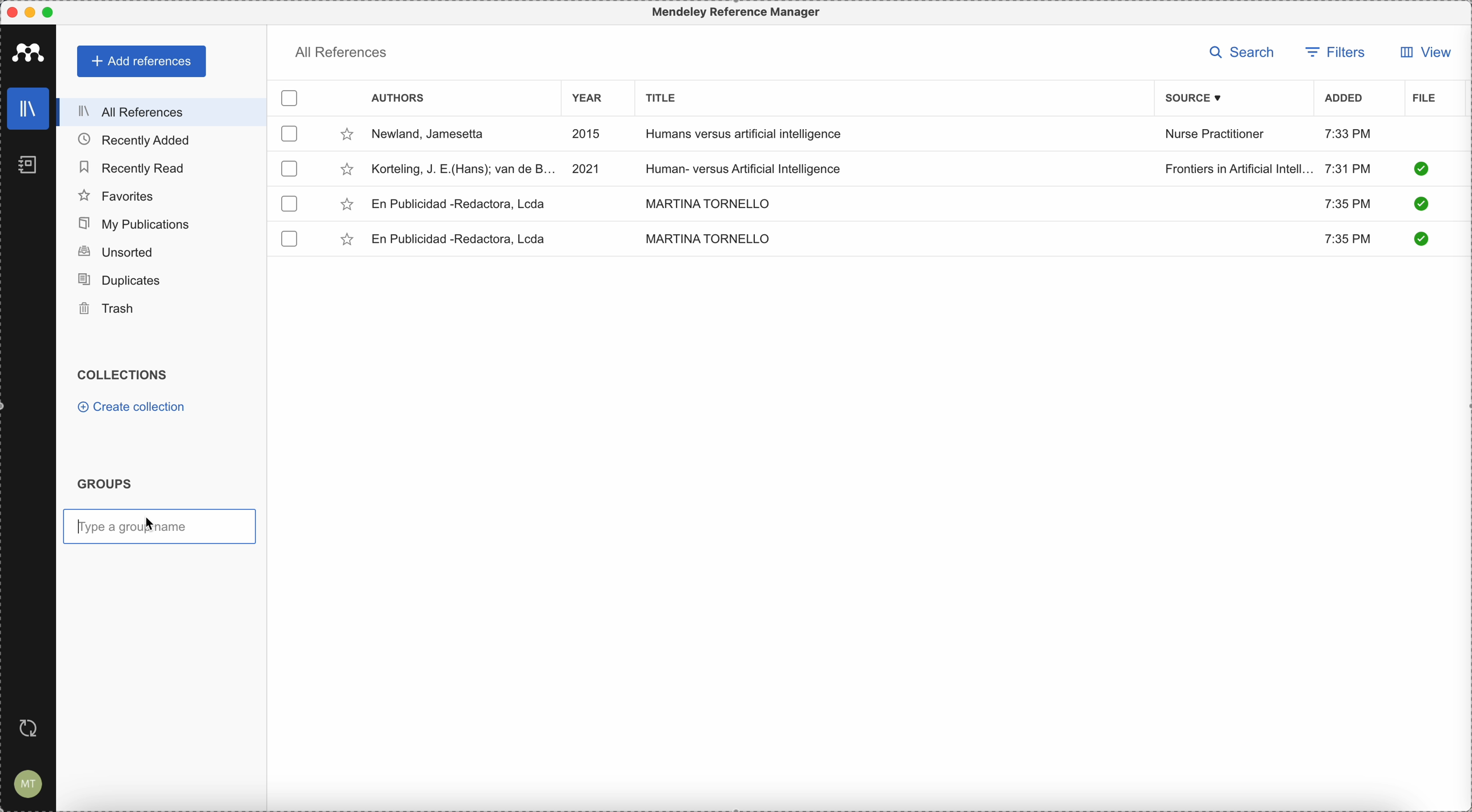 This screenshot has width=1472, height=812. Describe the element at coordinates (115, 251) in the screenshot. I see `unsorted` at that location.